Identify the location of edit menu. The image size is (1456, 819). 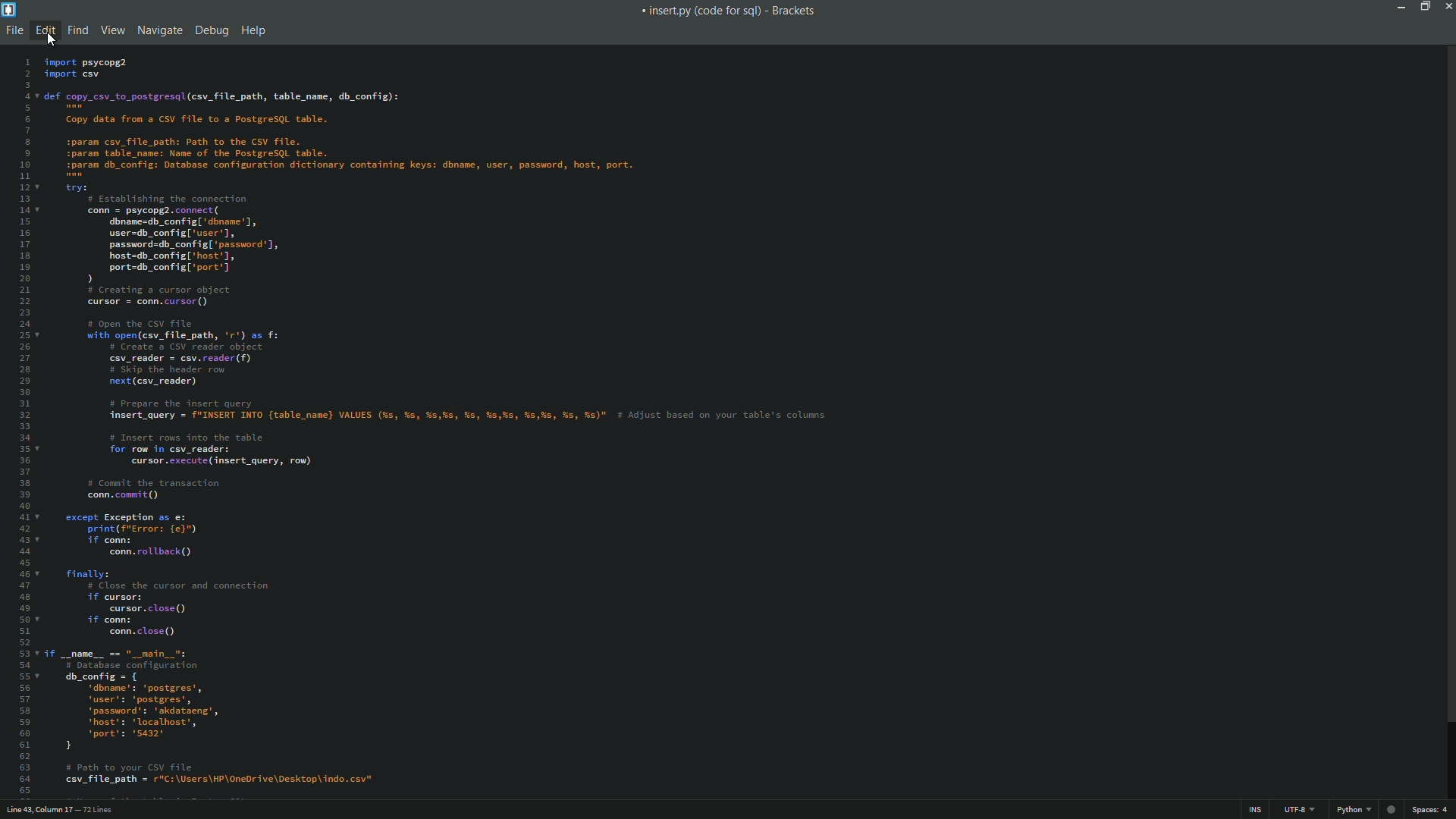
(44, 30).